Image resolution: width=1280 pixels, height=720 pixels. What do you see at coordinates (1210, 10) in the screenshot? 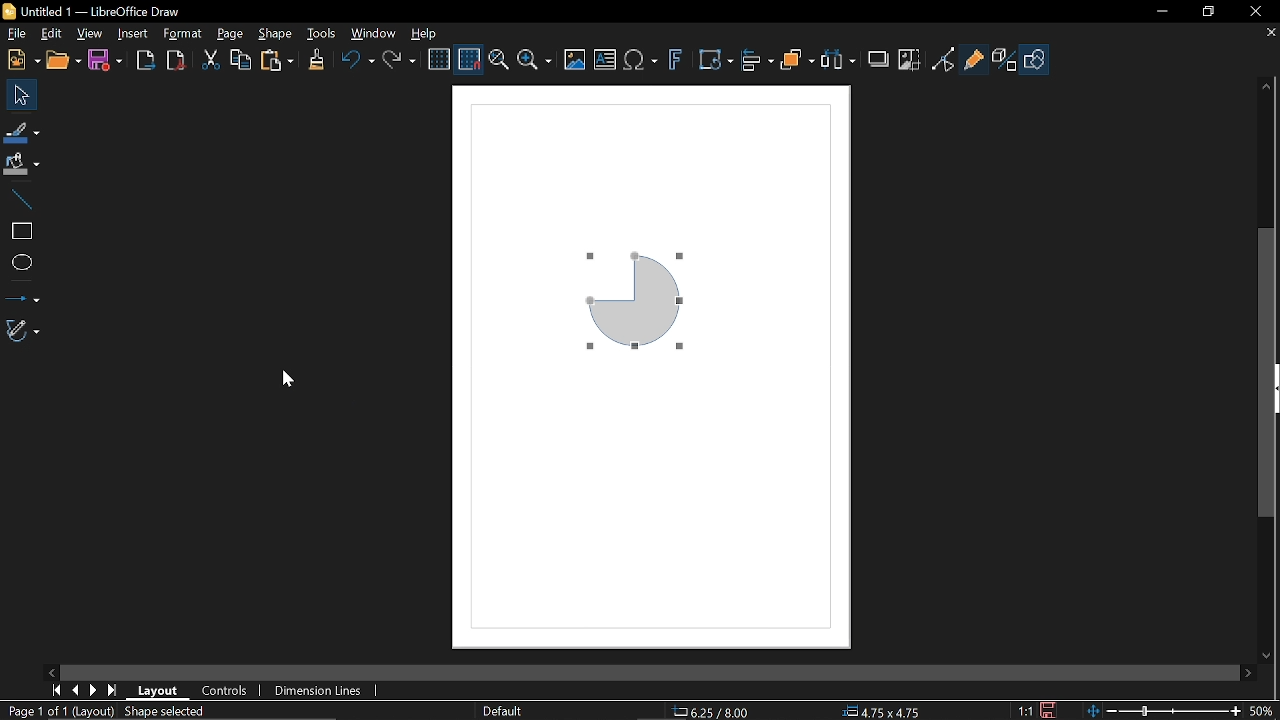
I see `restore down` at bounding box center [1210, 10].